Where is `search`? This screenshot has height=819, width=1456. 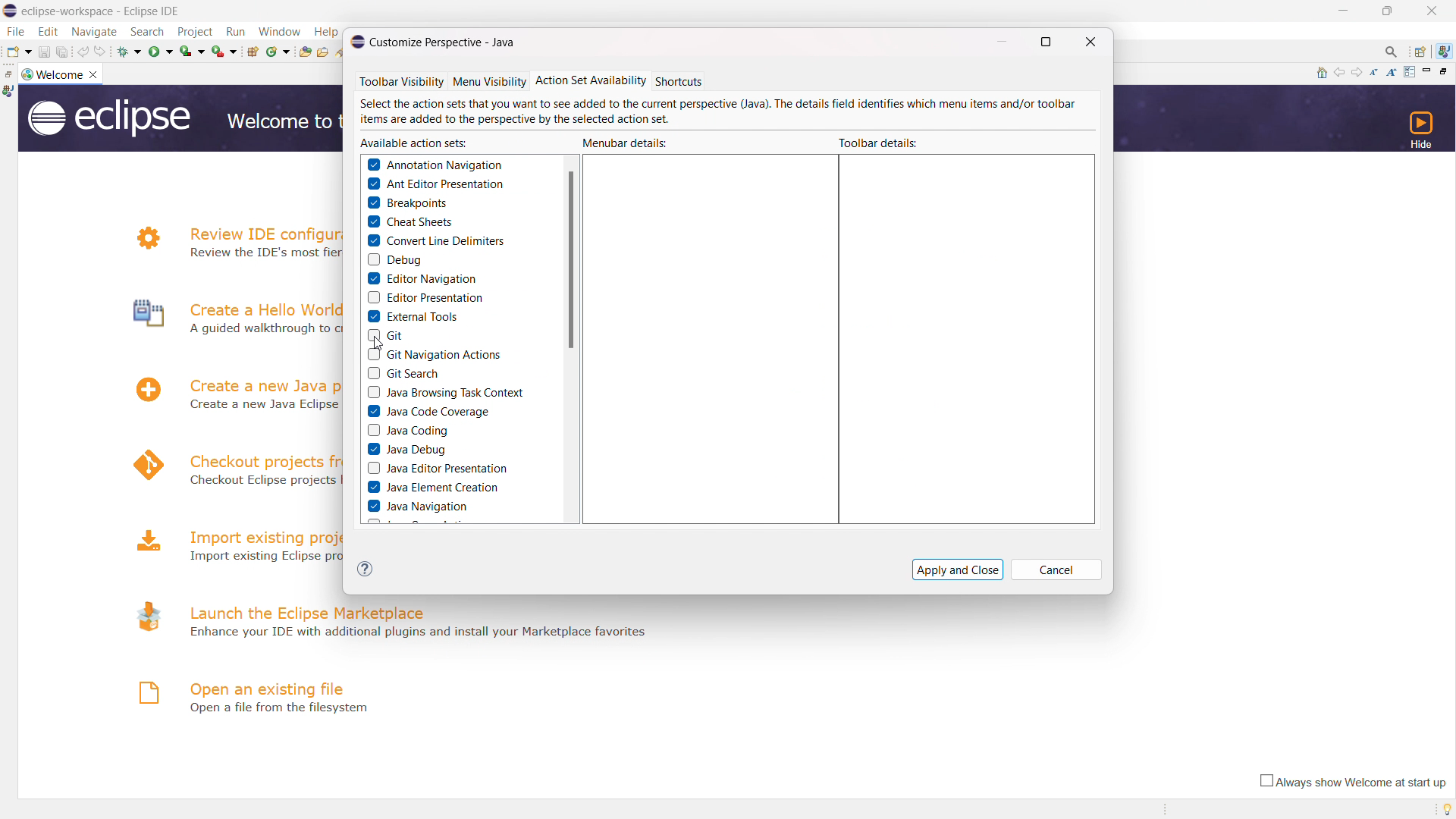 search is located at coordinates (149, 32).